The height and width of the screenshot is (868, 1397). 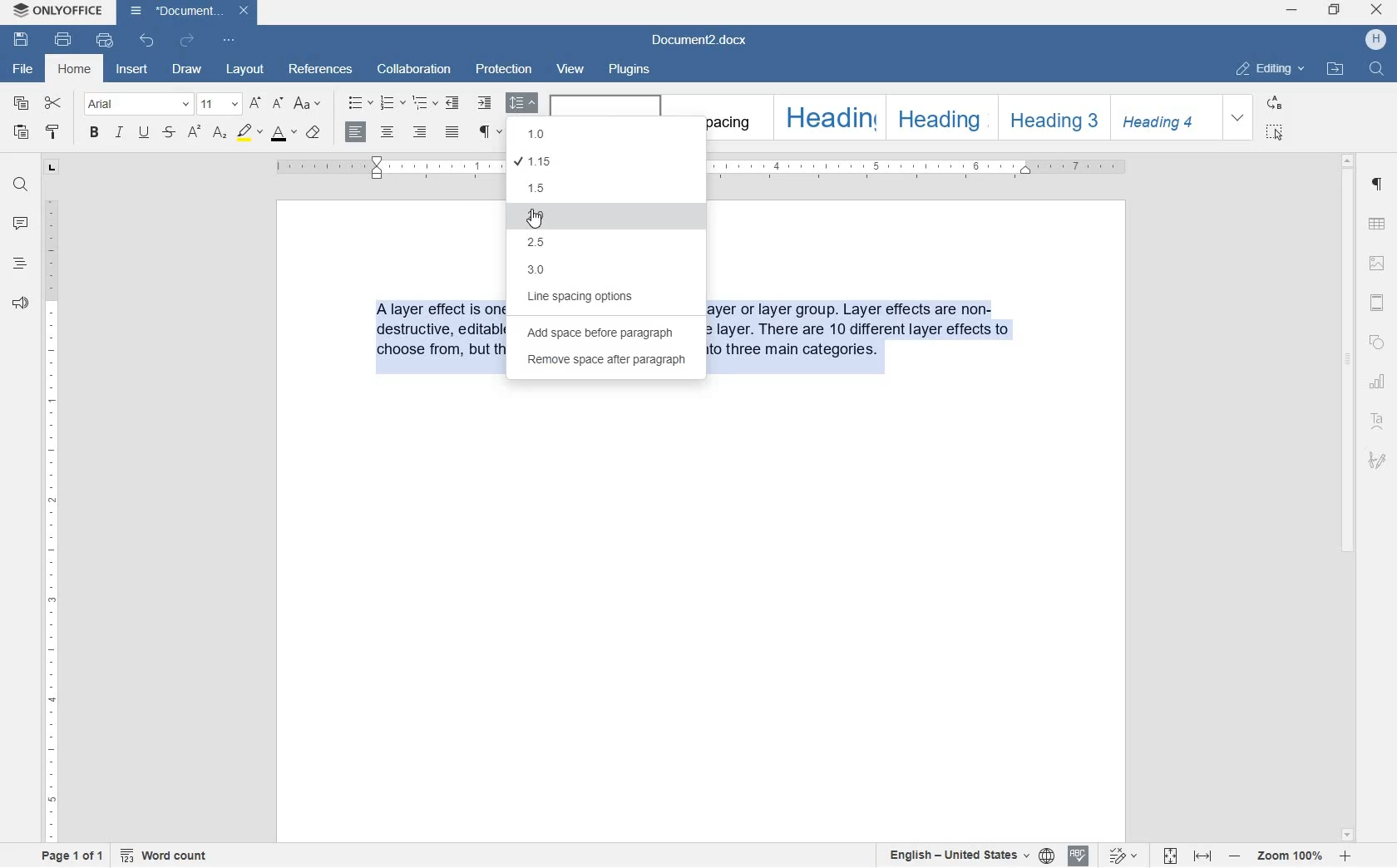 What do you see at coordinates (194, 133) in the screenshot?
I see `superscript` at bounding box center [194, 133].